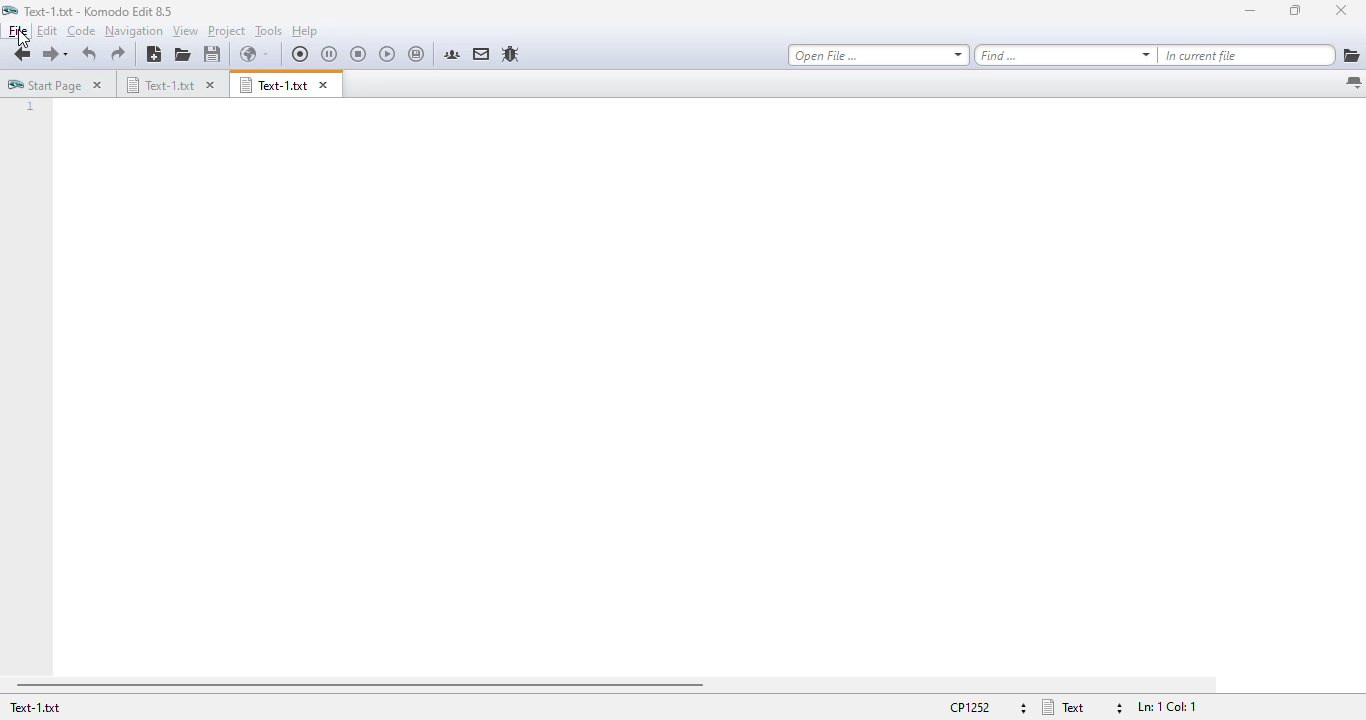 The width and height of the screenshot is (1366, 720). What do you see at coordinates (269, 31) in the screenshot?
I see `tools` at bounding box center [269, 31].